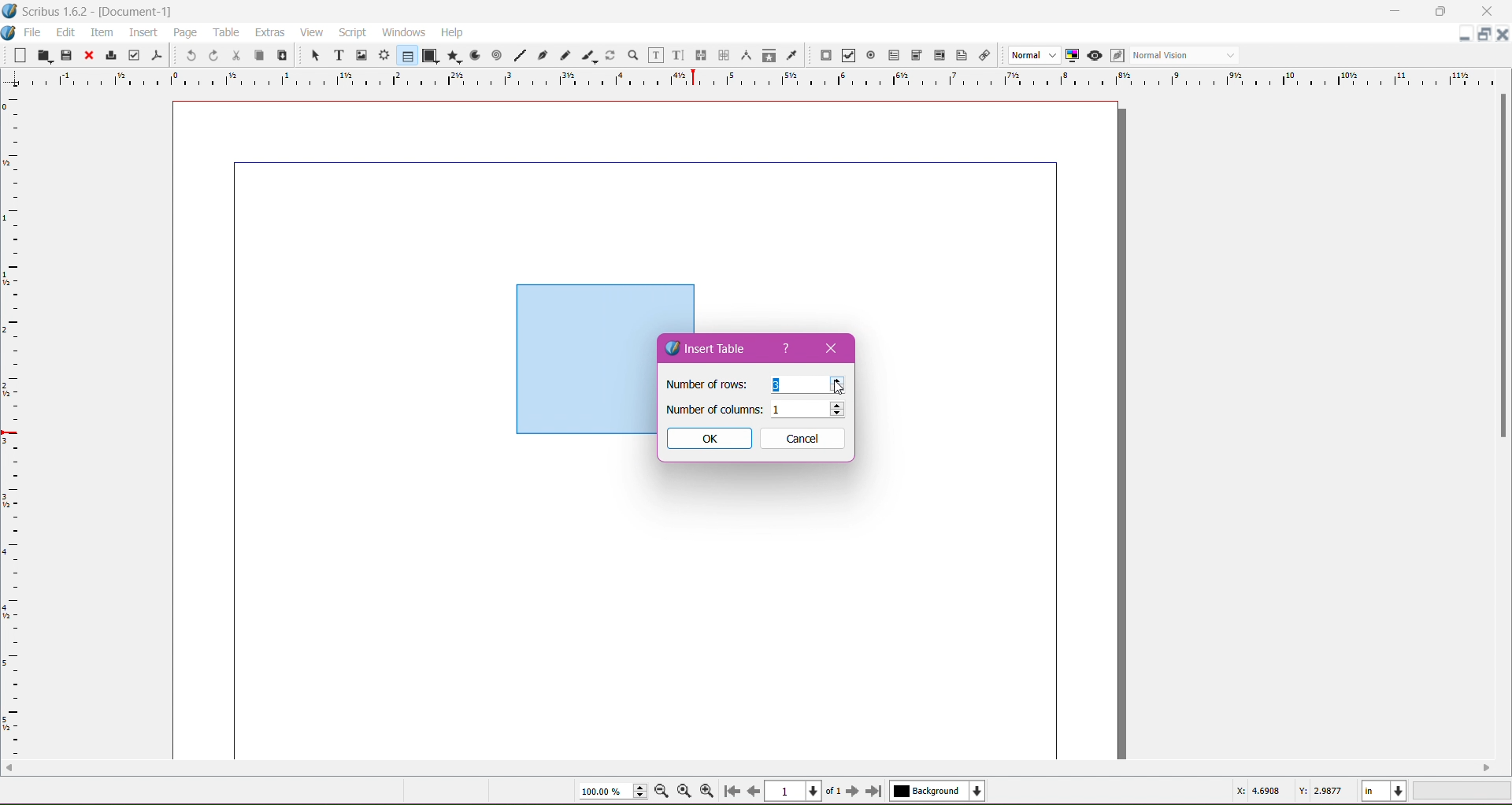 The image size is (1512, 805). What do you see at coordinates (335, 55) in the screenshot?
I see `Text Frame` at bounding box center [335, 55].